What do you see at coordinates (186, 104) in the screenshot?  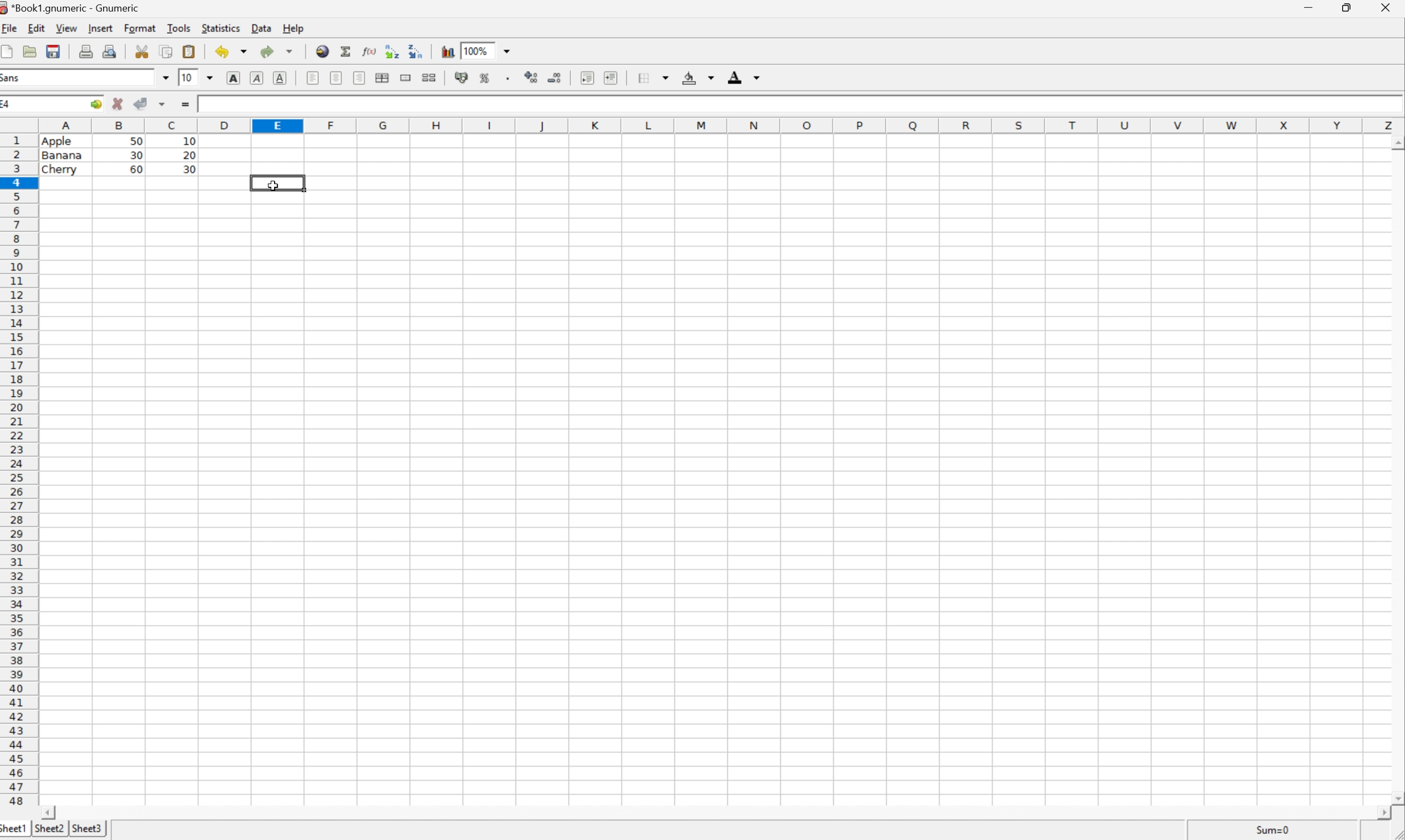 I see `enter formula` at bounding box center [186, 104].